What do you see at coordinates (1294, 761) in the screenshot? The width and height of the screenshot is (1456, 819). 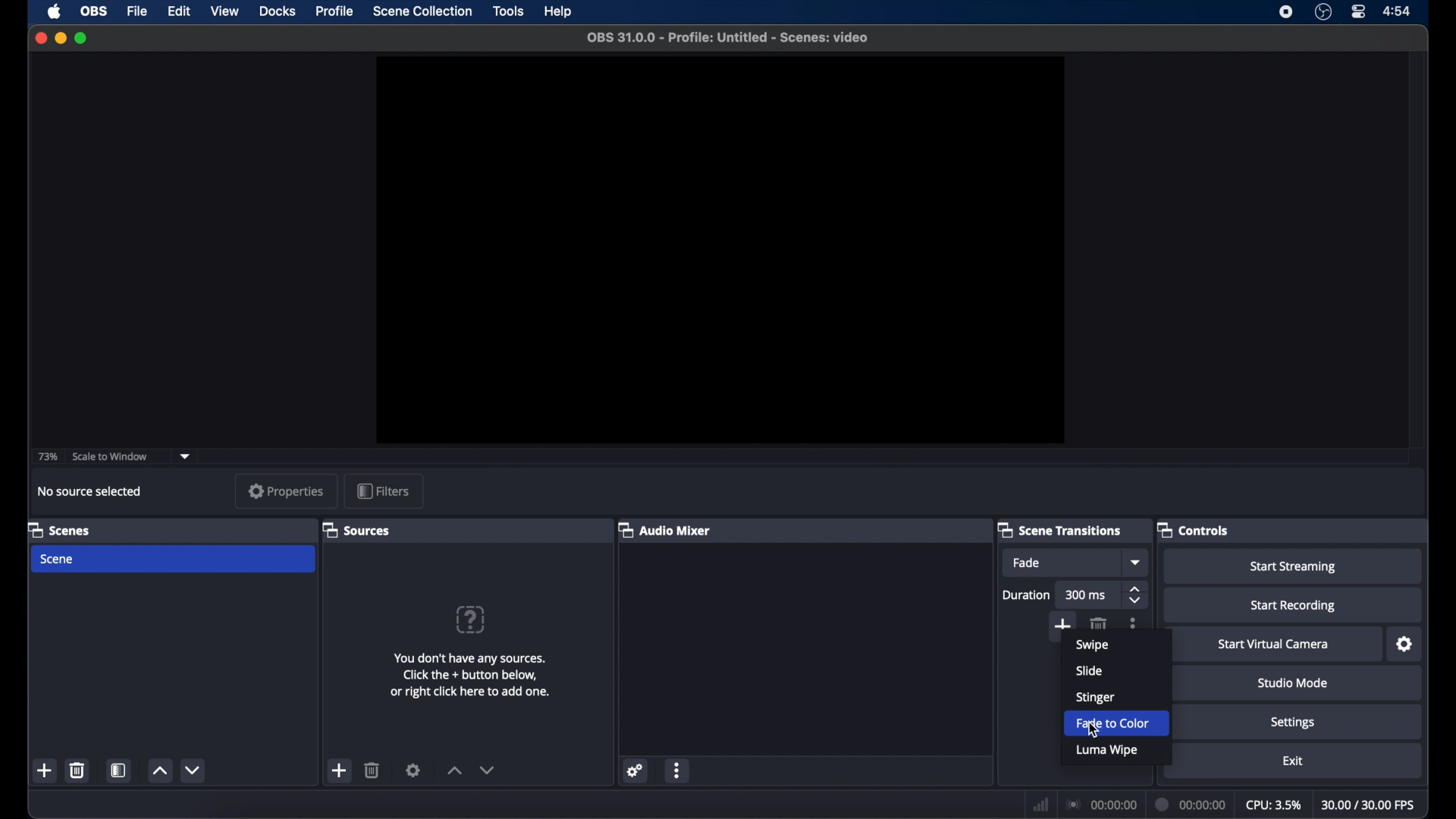 I see `exit` at bounding box center [1294, 761].